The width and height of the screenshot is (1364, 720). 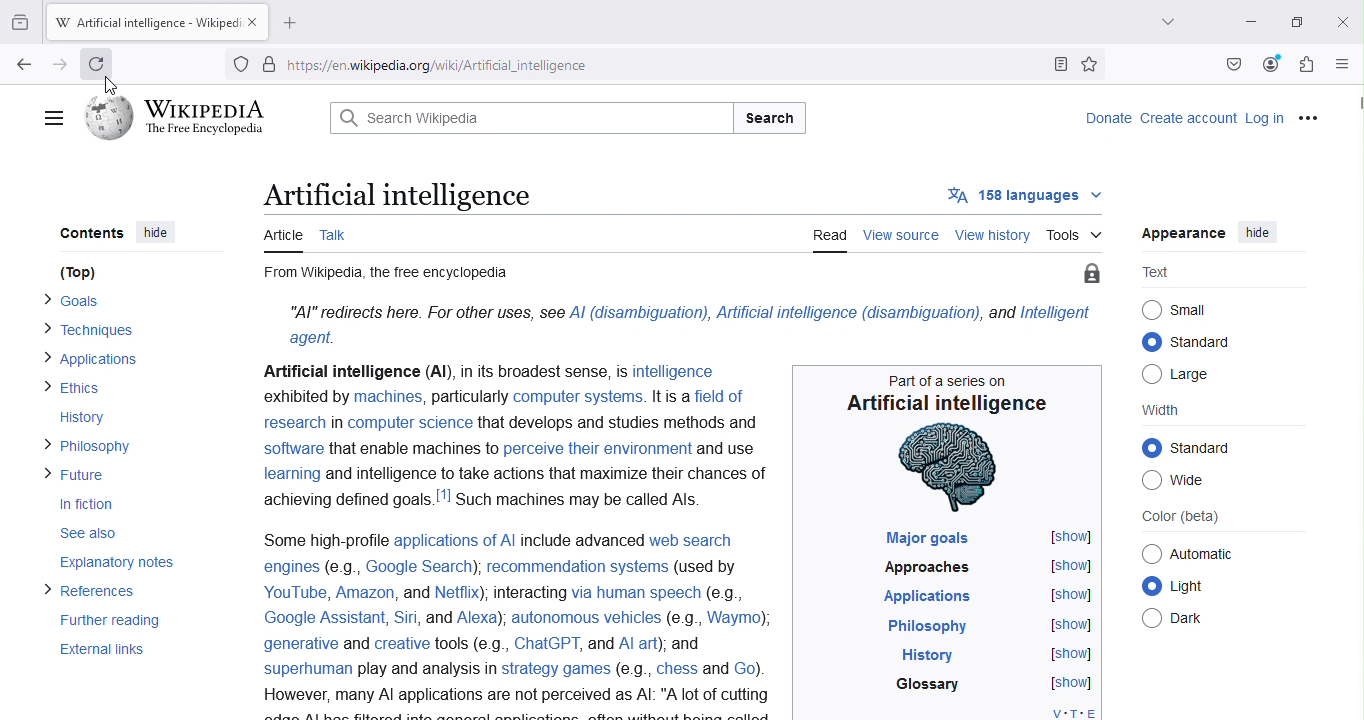 I want to click on particularly, so click(x=471, y=399).